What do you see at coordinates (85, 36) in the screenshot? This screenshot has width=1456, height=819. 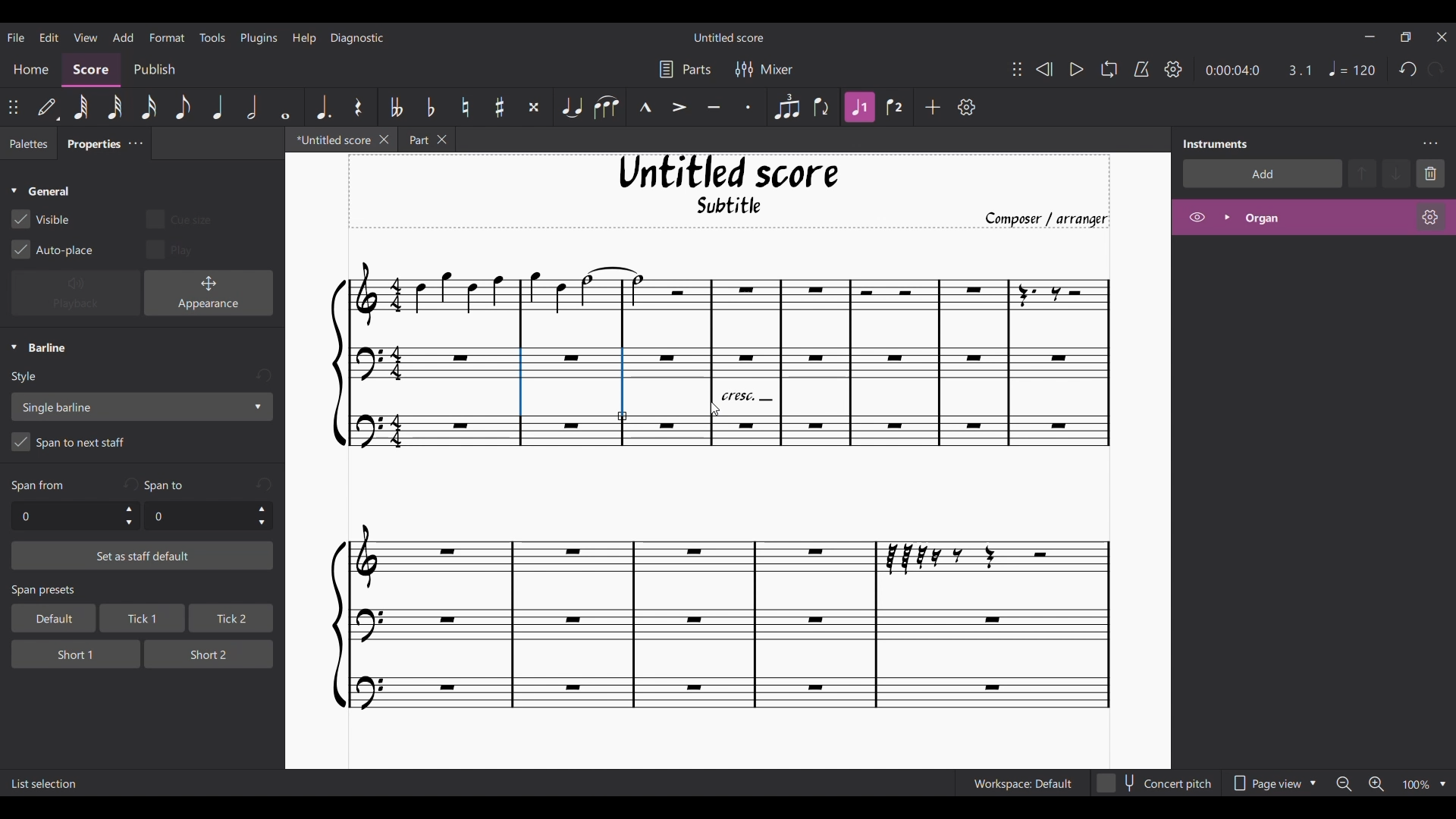 I see `View menu` at bounding box center [85, 36].